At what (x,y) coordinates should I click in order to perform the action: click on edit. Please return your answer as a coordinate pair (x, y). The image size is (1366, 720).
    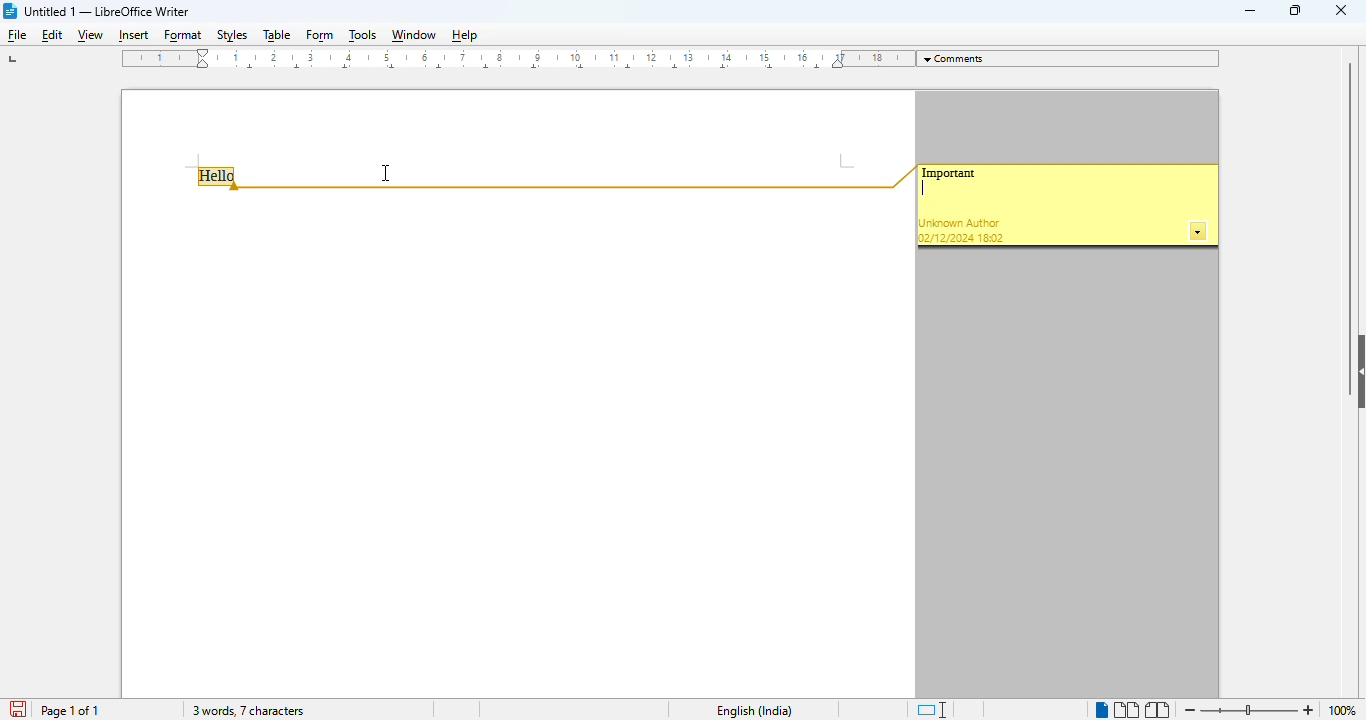
    Looking at the image, I should click on (53, 35).